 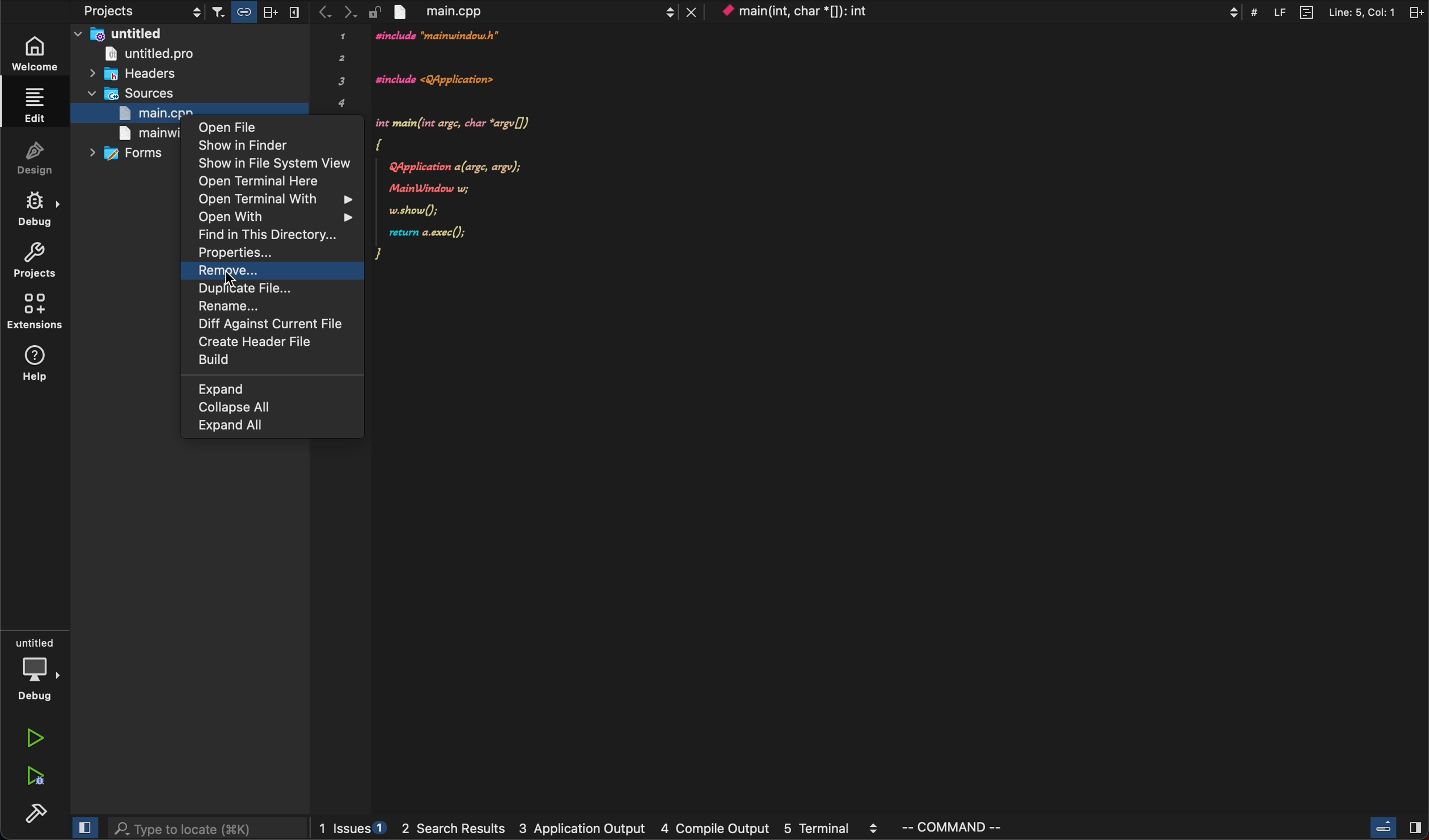 What do you see at coordinates (137, 76) in the screenshot?
I see `headers` at bounding box center [137, 76].